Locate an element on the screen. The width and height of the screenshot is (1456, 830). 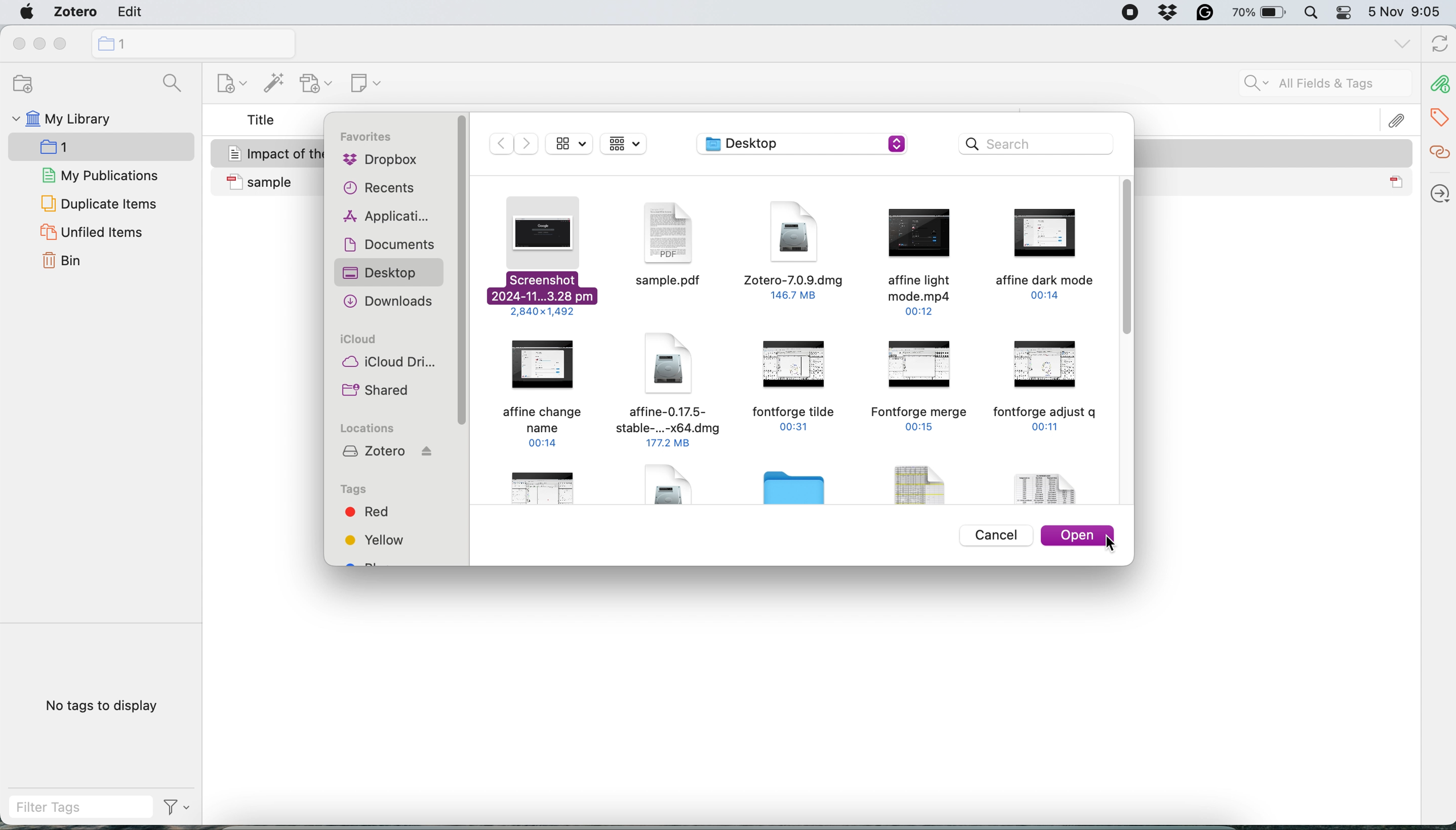
Affine change name is located at coordinates (550, 390).